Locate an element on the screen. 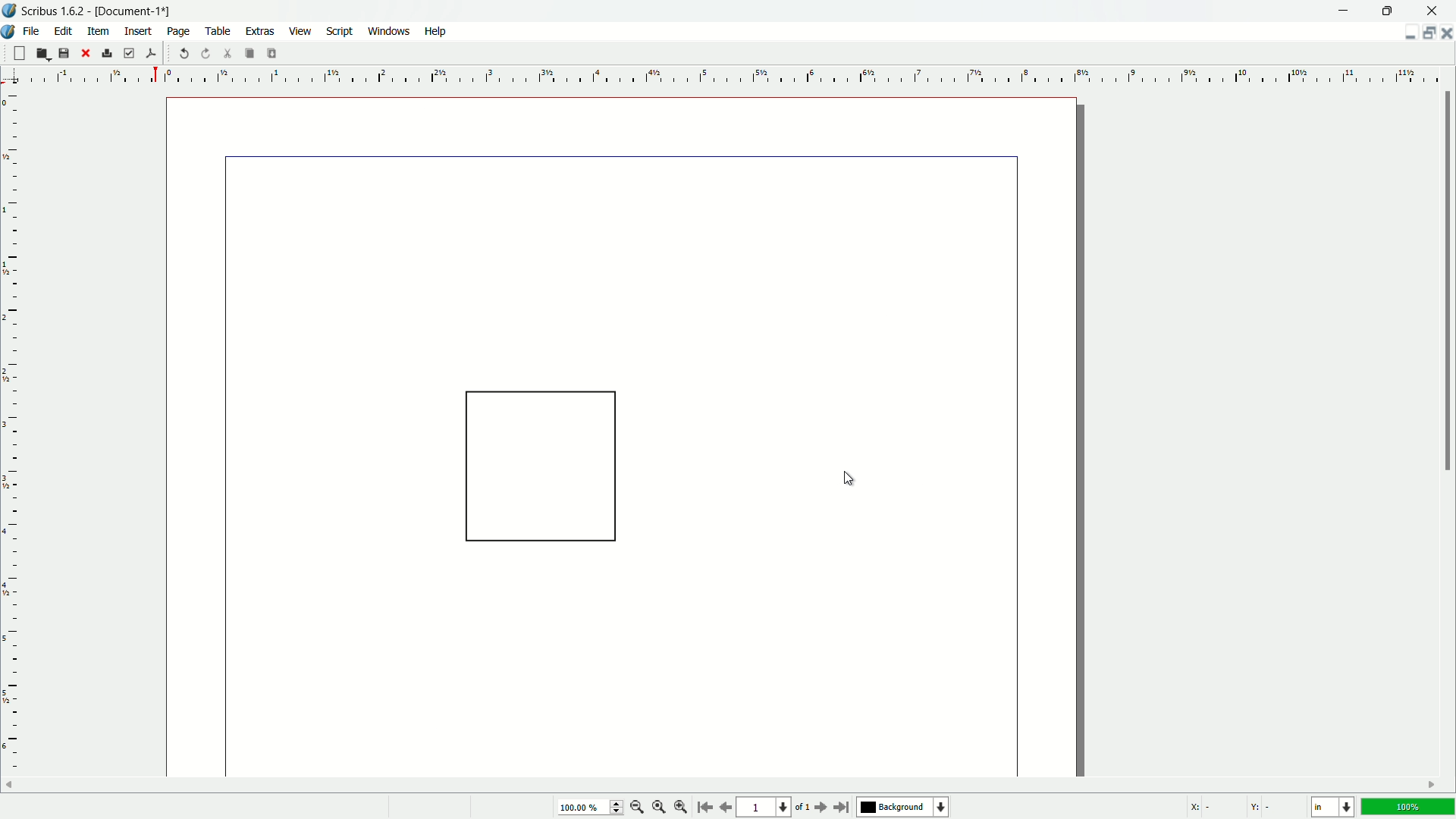  table menu is located at coordinates (217, 32).